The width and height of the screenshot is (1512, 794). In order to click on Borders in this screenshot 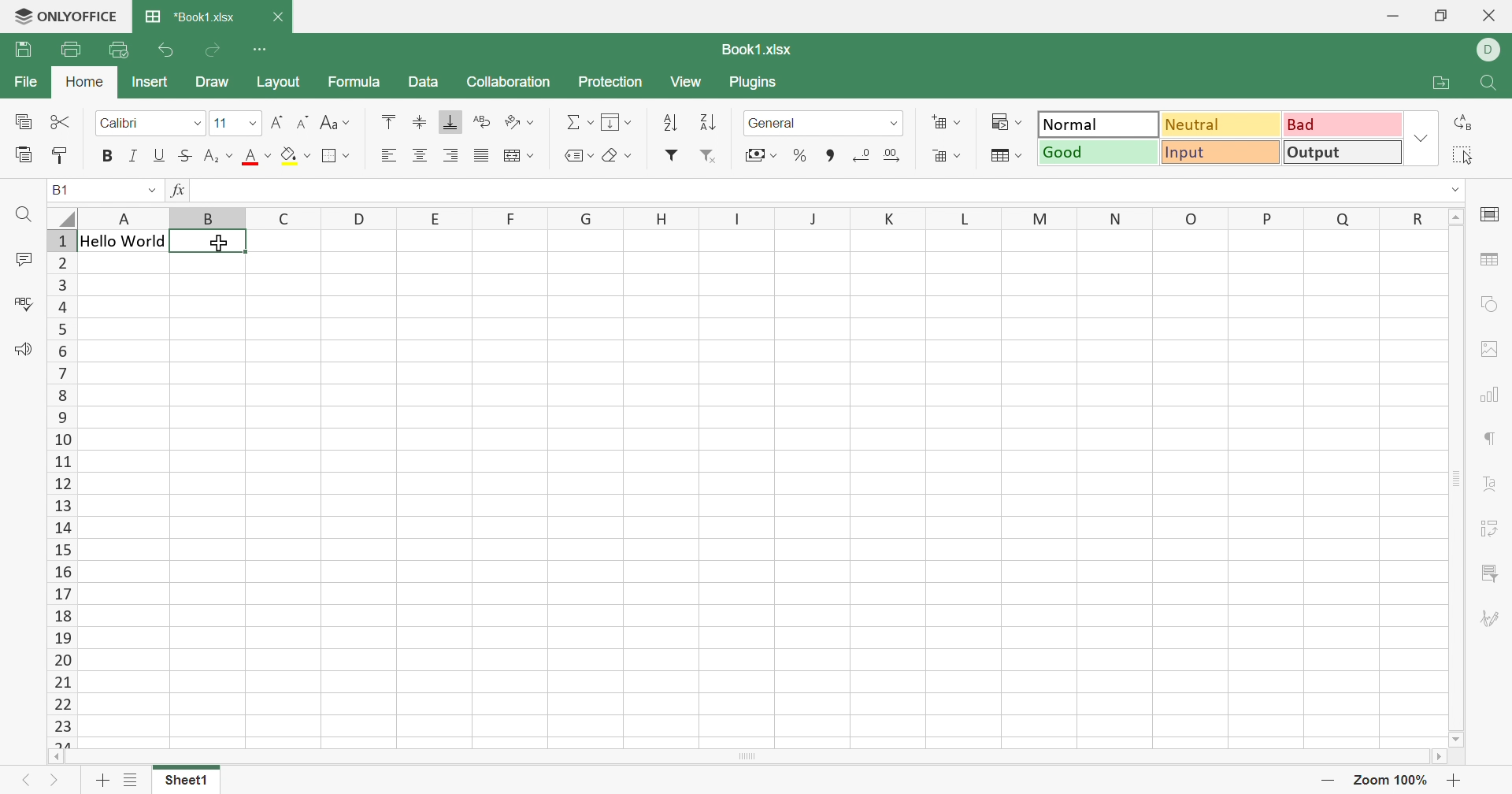, I will do `click(336, 158)`.